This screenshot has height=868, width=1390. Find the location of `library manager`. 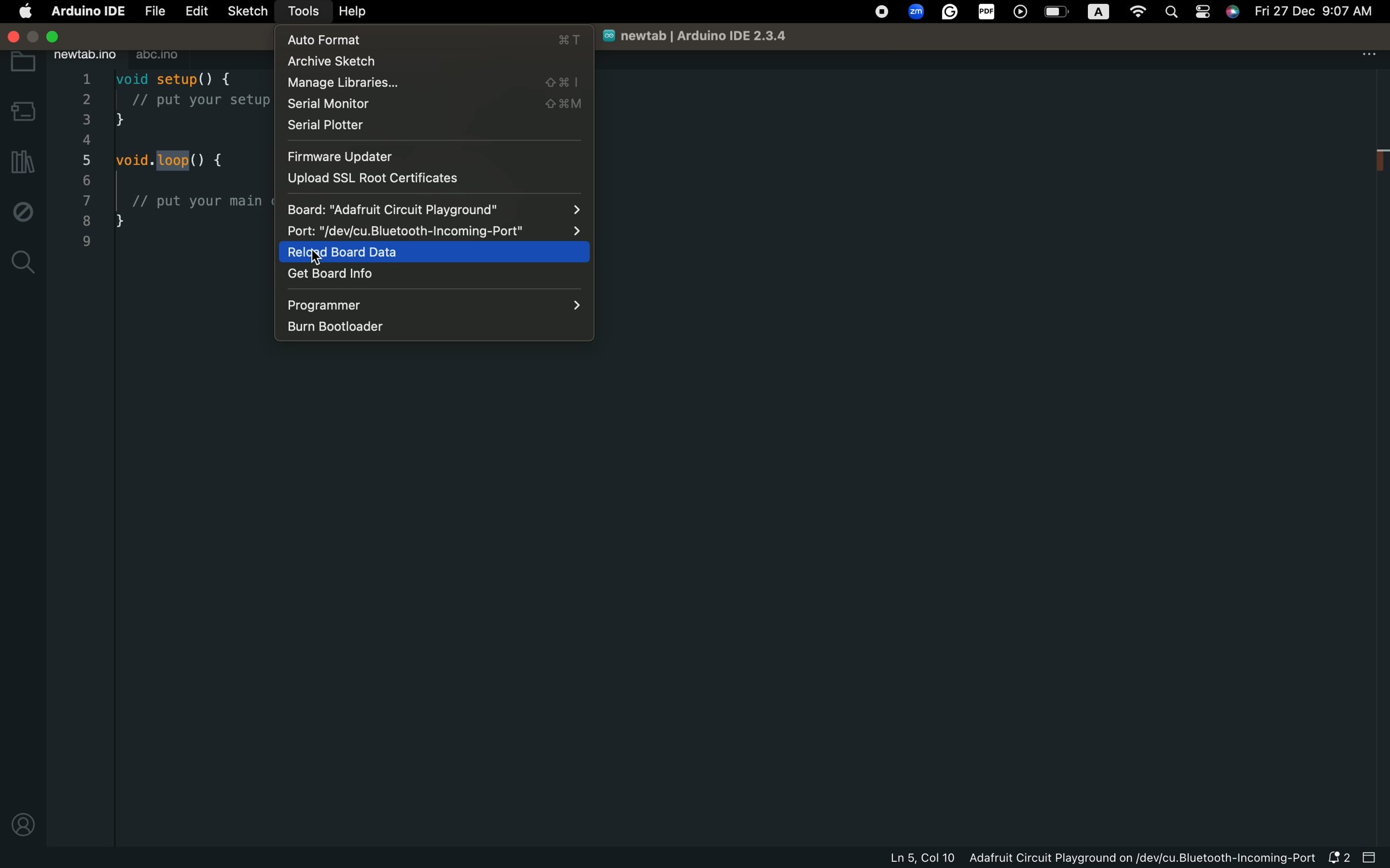

library manager is located at coordinates (23, 161).